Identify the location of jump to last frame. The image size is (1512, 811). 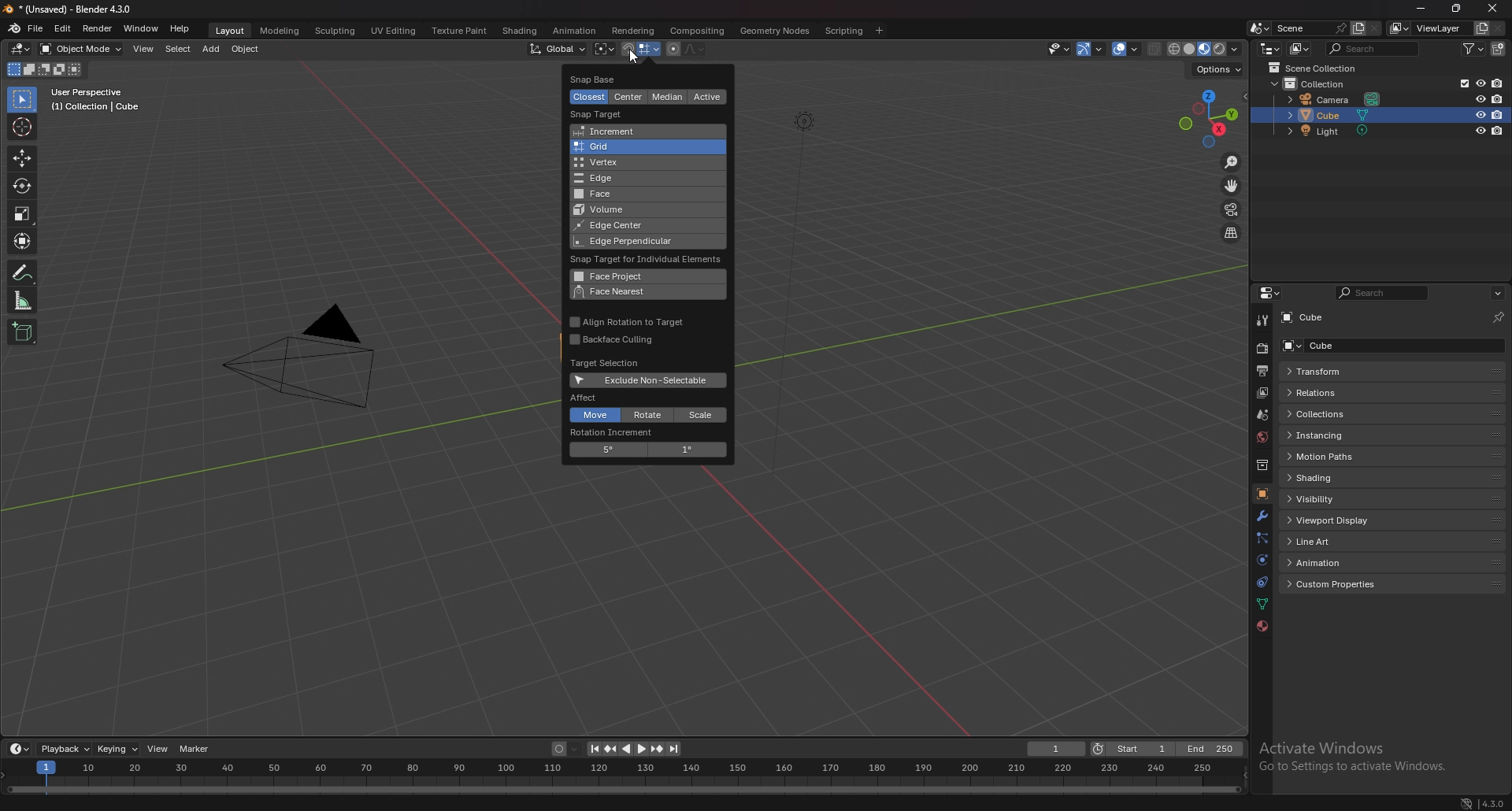
(673, 749).